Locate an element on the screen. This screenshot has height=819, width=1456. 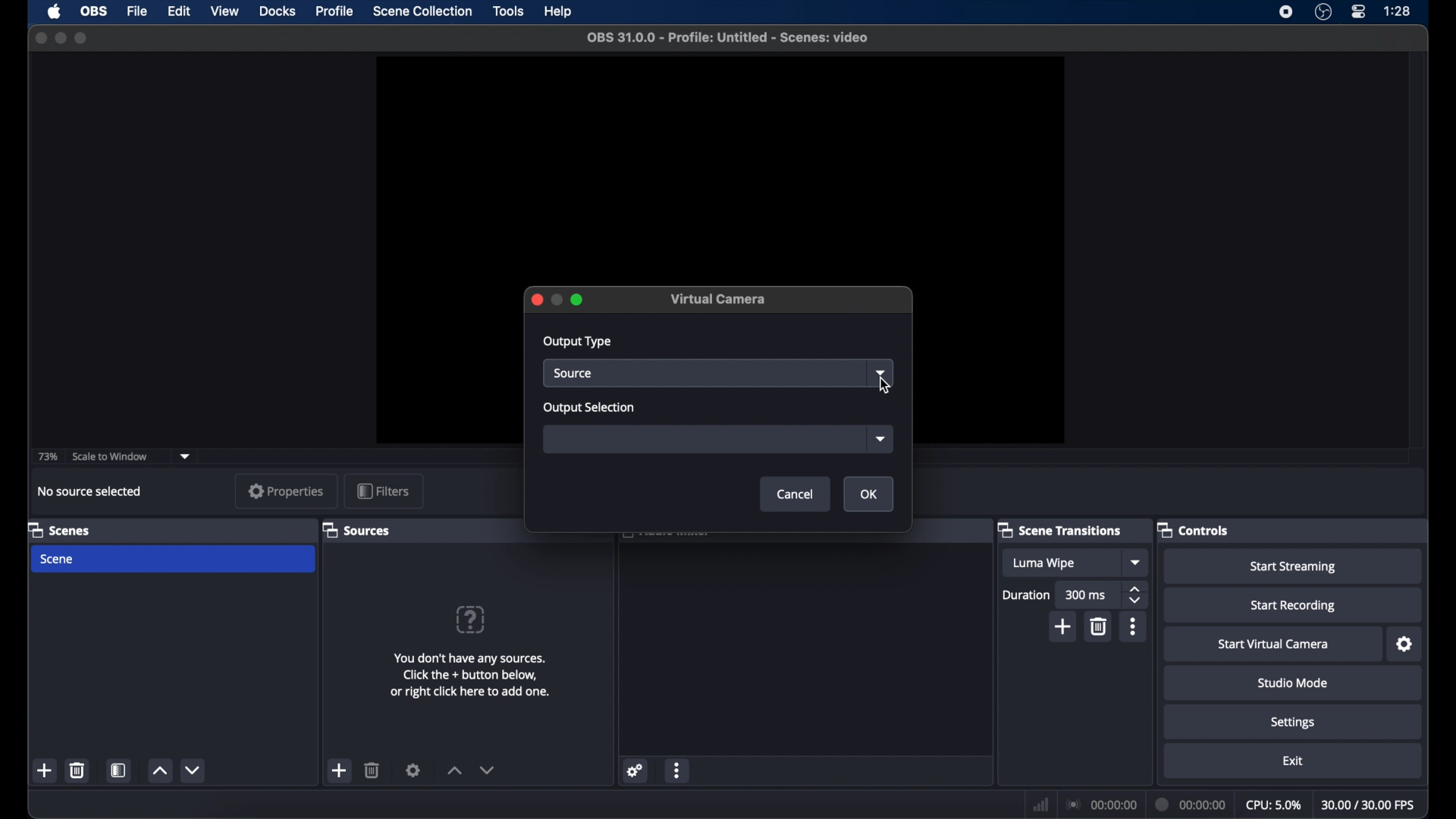
delete is located at coordinates (1098, 626).